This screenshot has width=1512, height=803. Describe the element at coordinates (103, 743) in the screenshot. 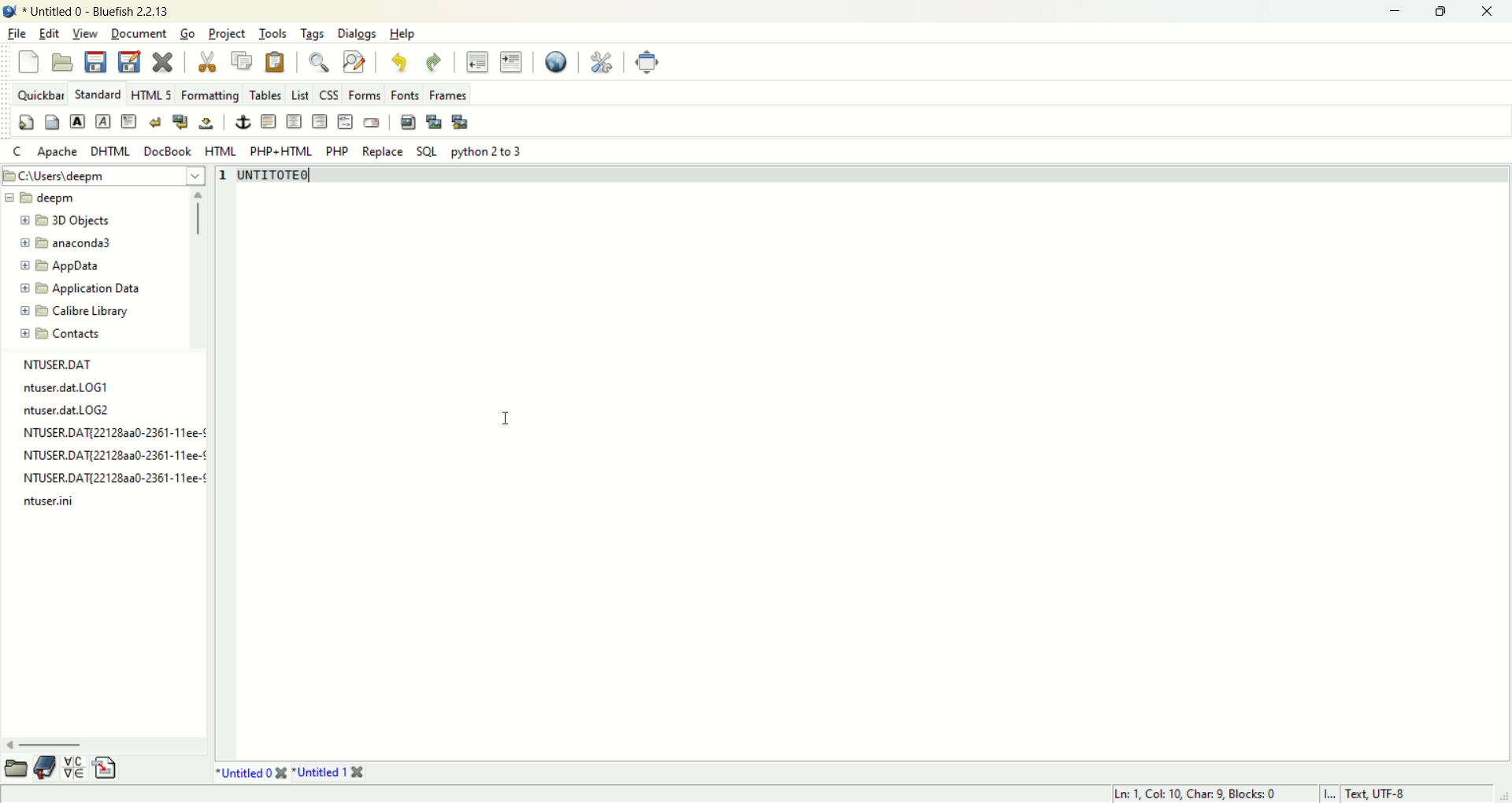

I see `horizontal scroll bar` at that location.